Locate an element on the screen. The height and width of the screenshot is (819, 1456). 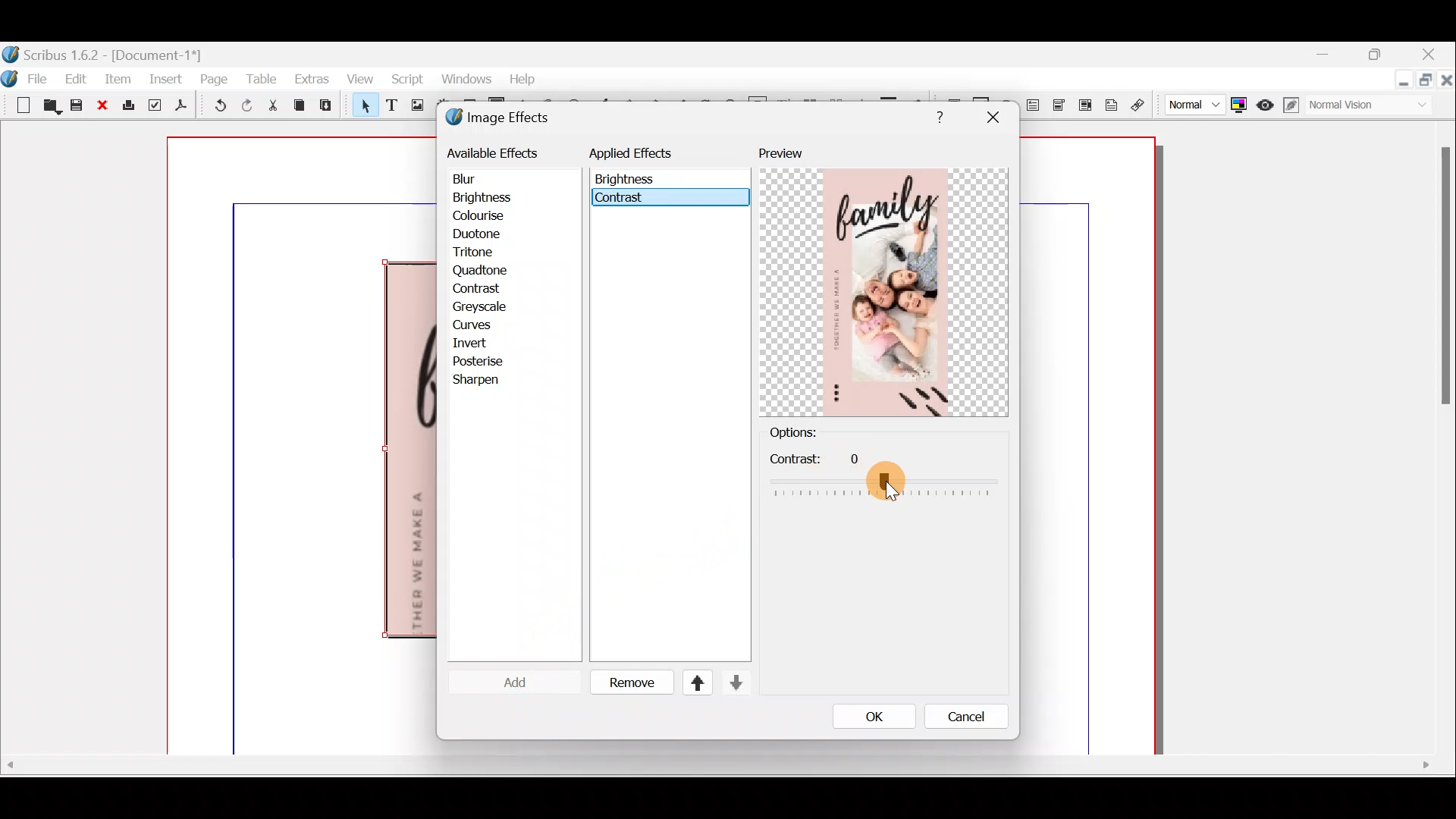
Script is located at coordinates (404, 81).